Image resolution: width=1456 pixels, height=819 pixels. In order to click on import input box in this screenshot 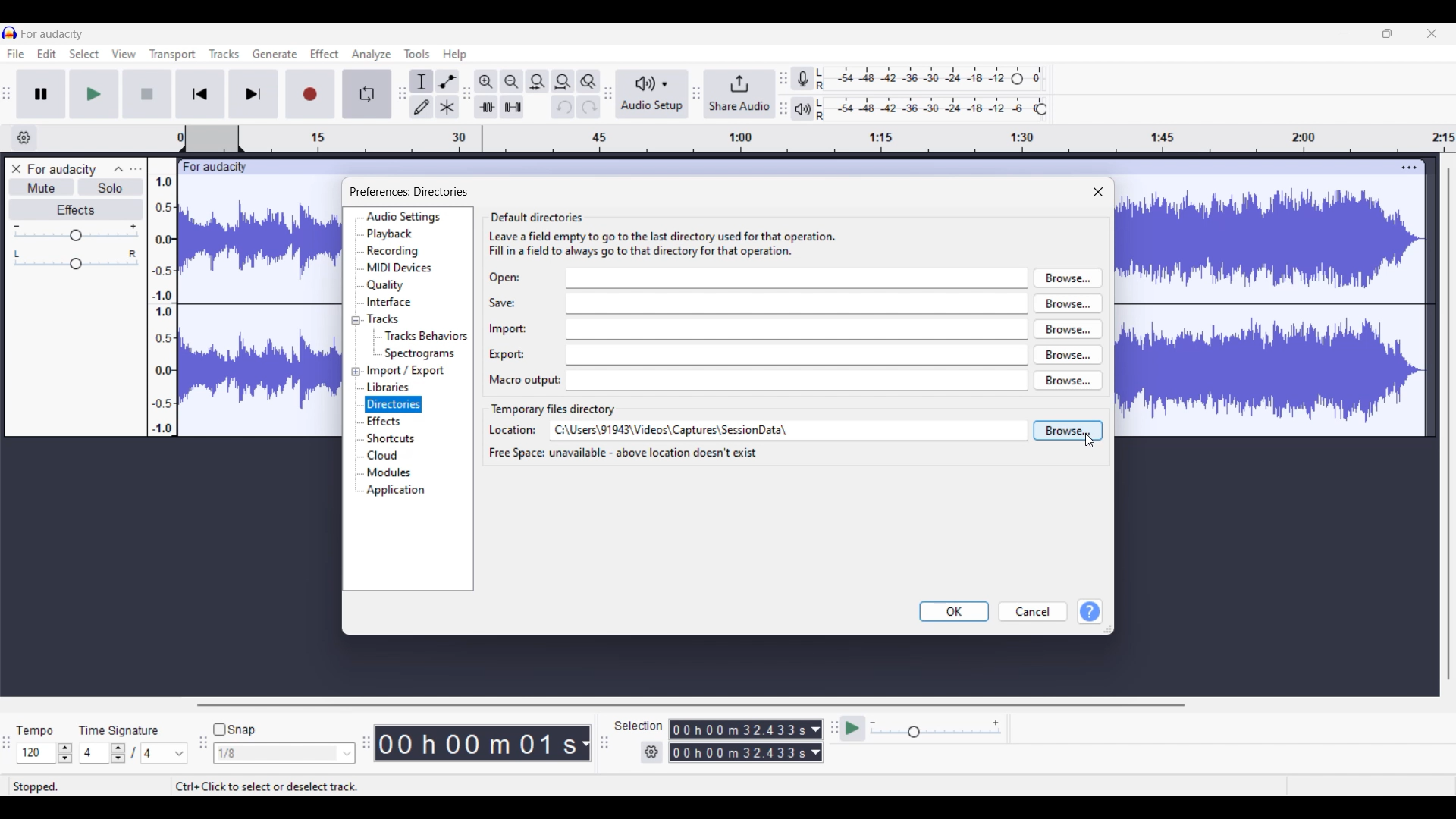, I will do `click(796, 329)`.